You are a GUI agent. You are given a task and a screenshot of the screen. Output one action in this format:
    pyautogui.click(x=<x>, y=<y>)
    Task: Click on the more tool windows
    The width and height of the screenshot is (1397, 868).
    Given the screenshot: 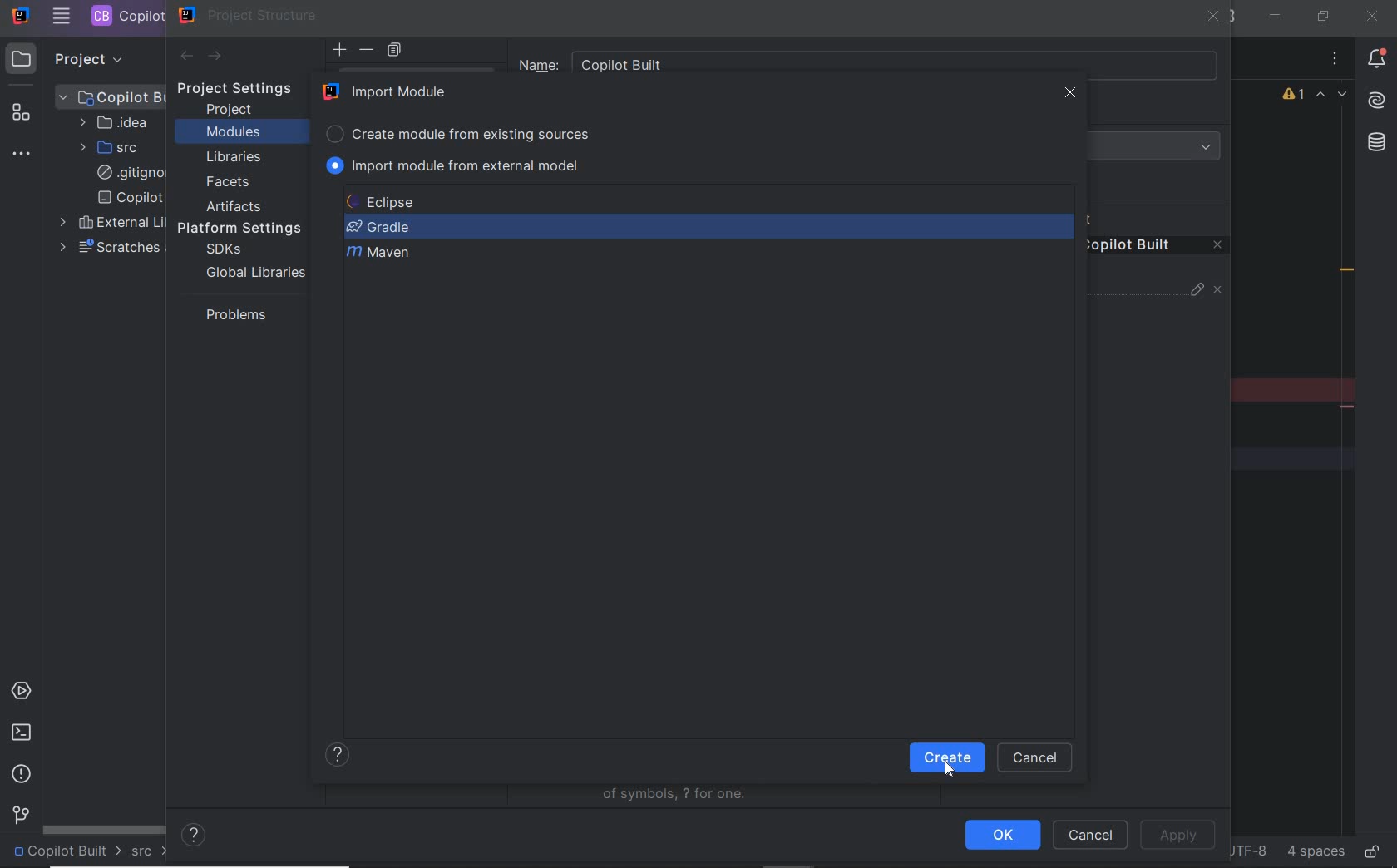 What is the action you would take?
    pyautogui.click(x=23, y=155)
    